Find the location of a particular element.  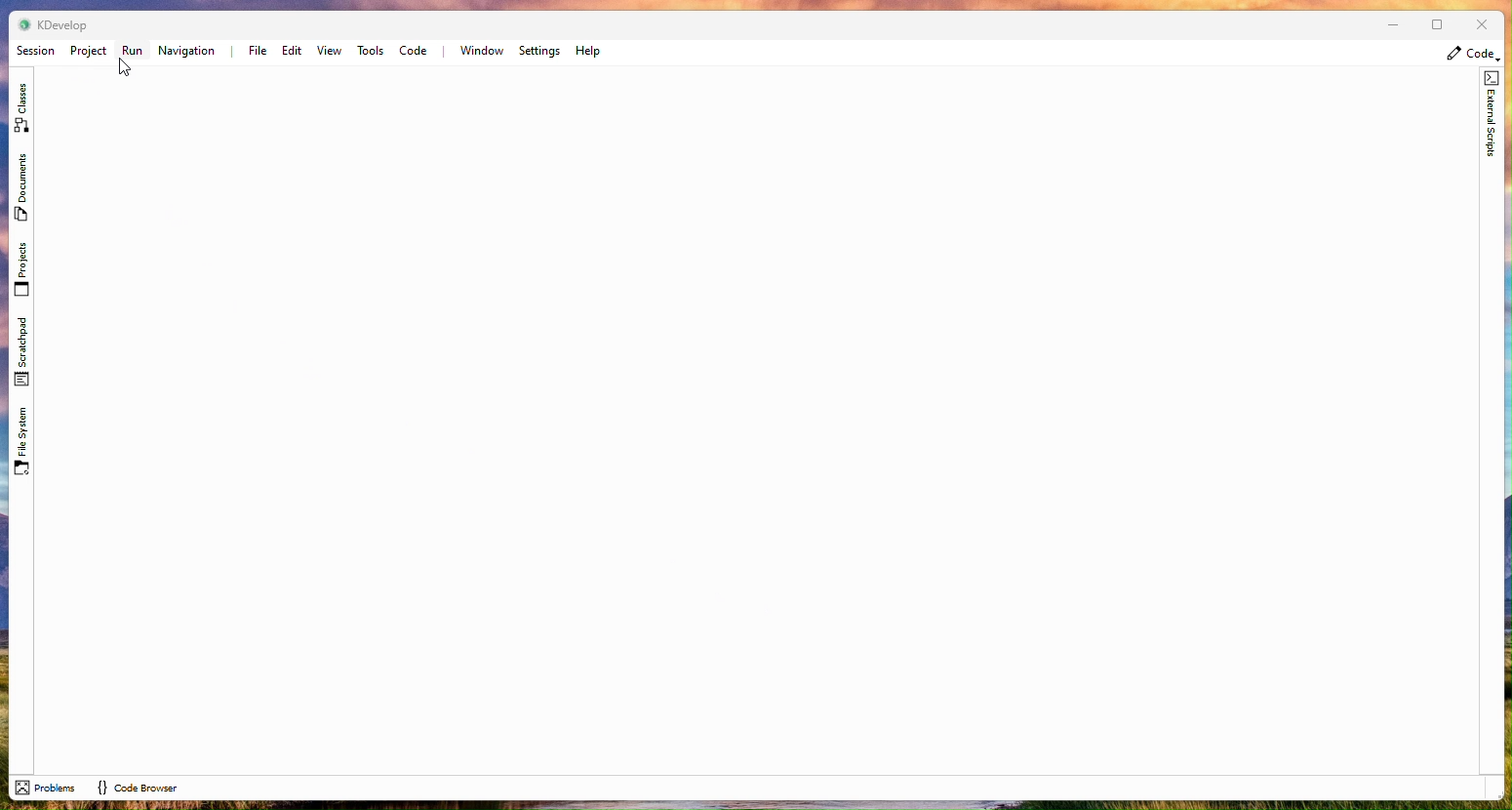

Project is located at coordinates (88, 51).